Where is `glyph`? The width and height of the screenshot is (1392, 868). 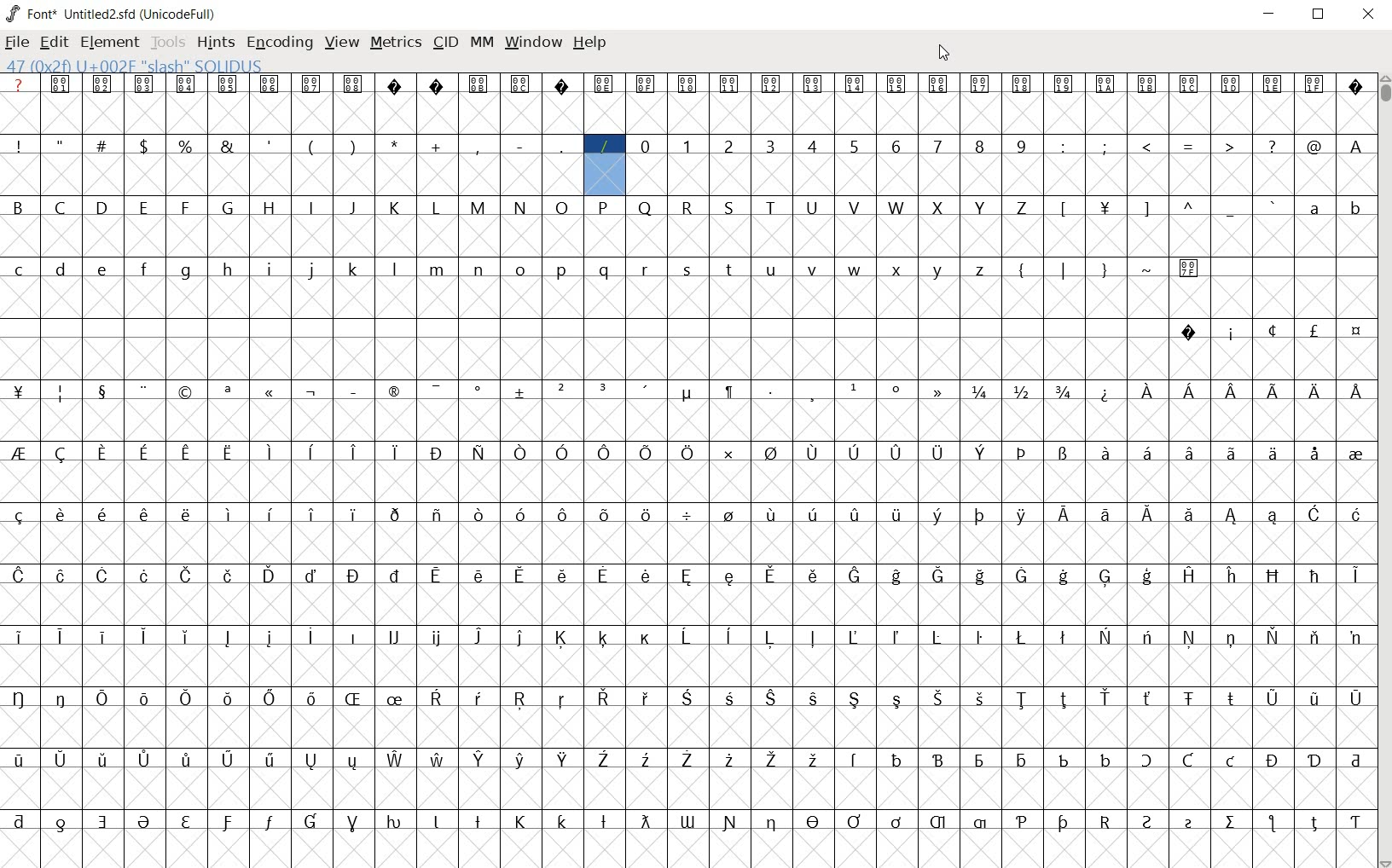 glyph is located at coordinates (1145, 210).